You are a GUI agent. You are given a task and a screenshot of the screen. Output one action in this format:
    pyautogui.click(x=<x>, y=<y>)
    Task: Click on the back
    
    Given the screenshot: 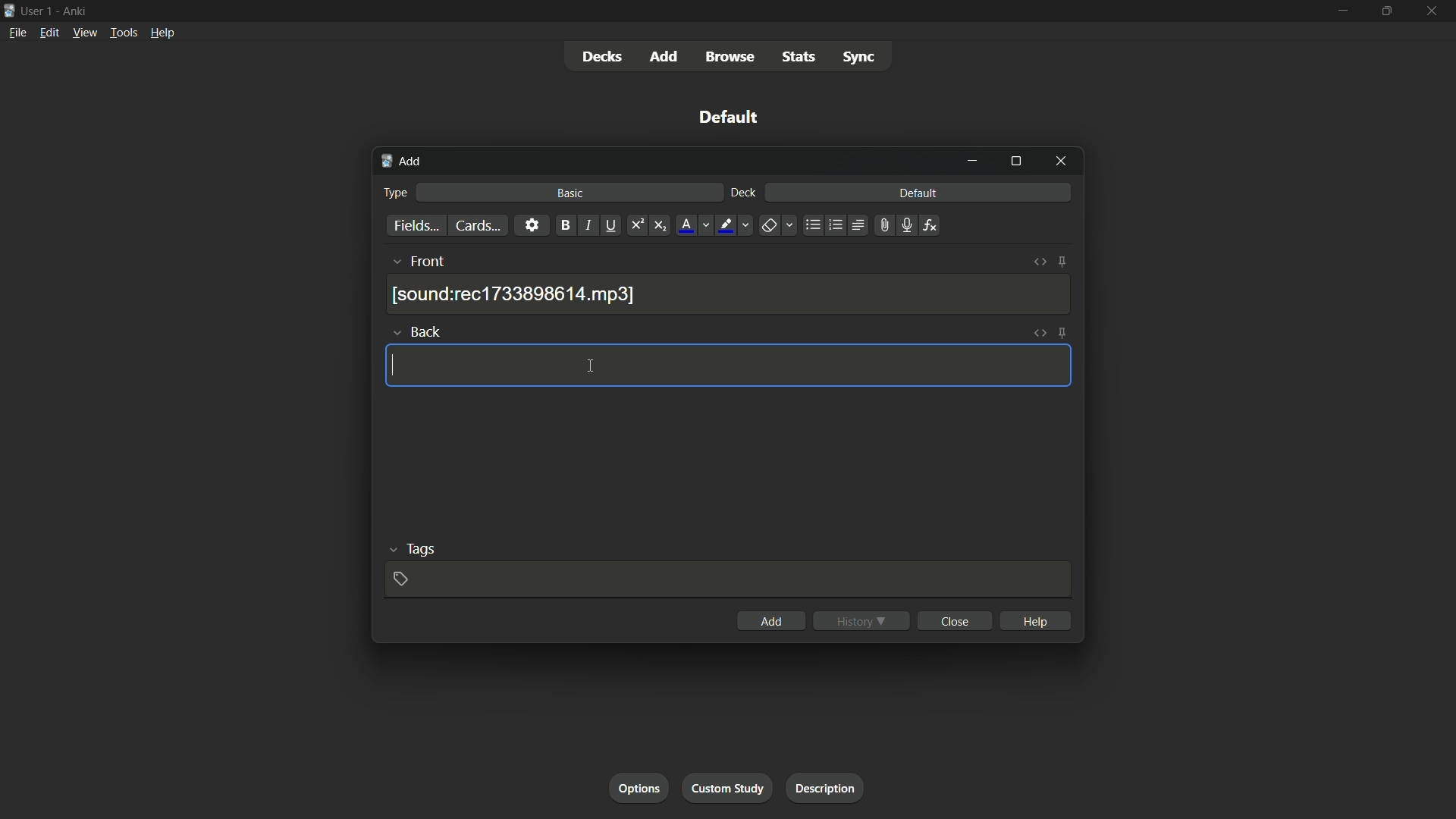 What is the action you would take?
    pyautogui.click(x=428, y=331)
    